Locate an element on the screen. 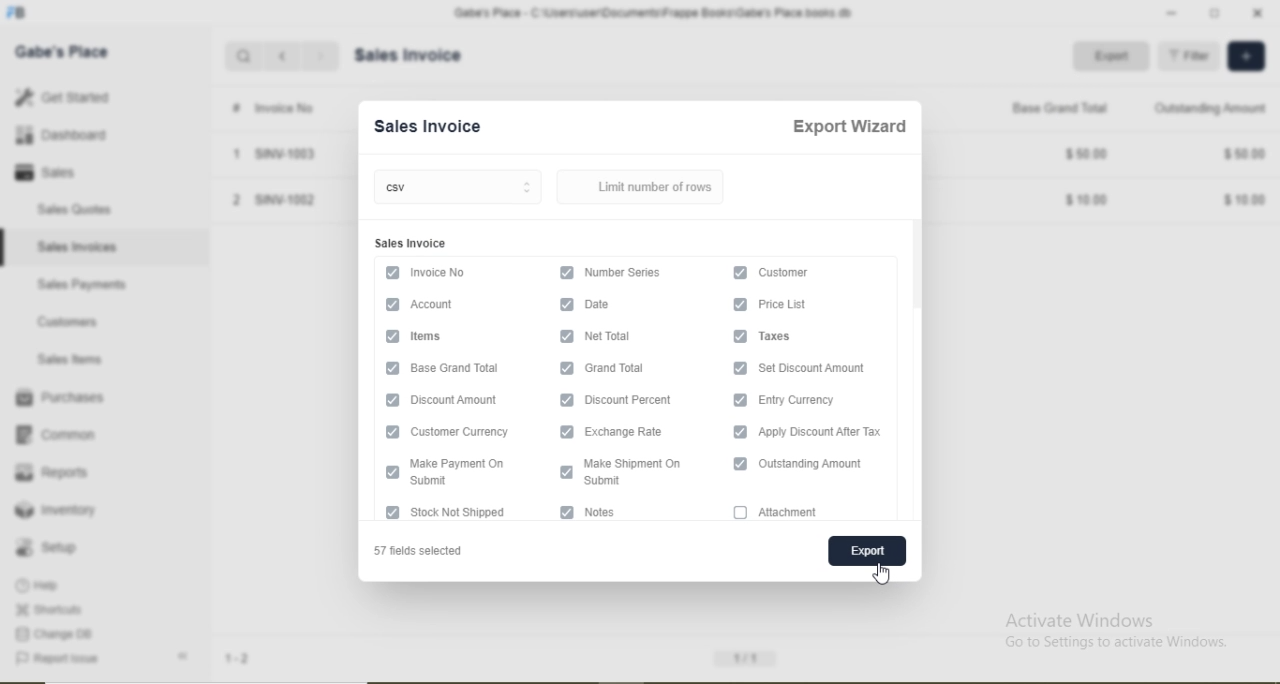 Image resolution: width=1280 pixels, height=684 pixels. Customer is located at coordinates (788, 273).